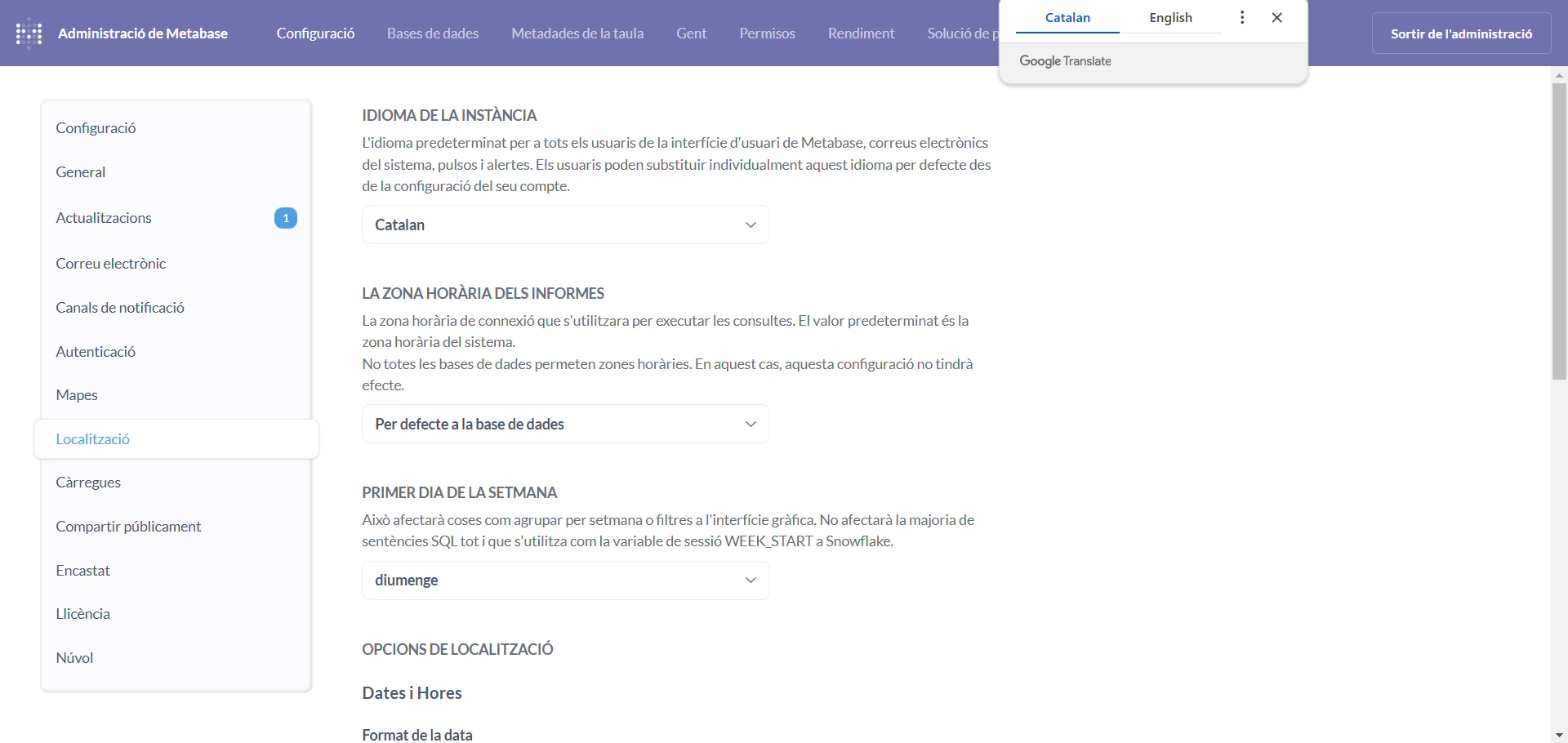  What do you see at coordinates (170, 309) in the screenshot?
I see `notification channels` at bounding box center [170, 309].